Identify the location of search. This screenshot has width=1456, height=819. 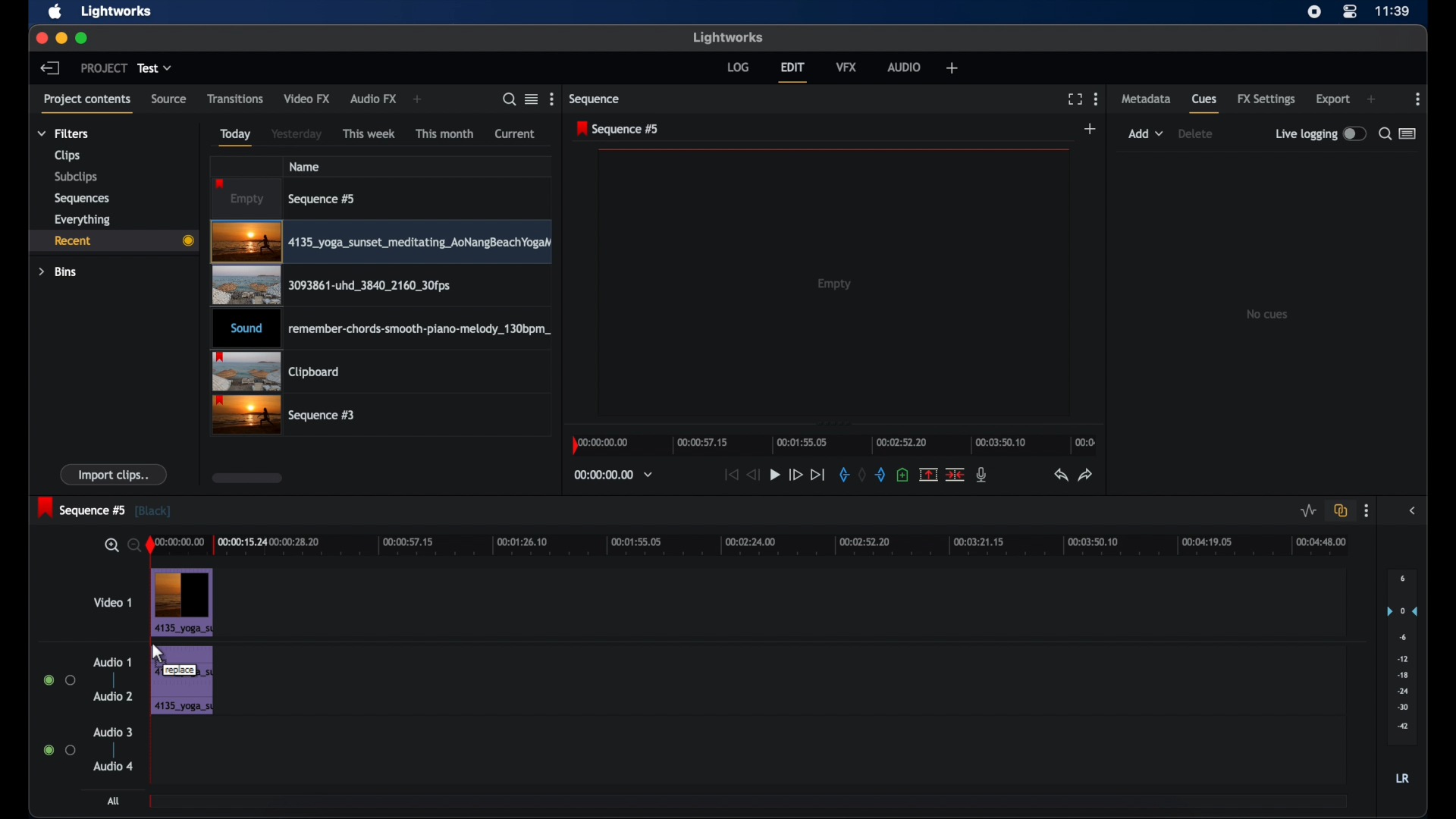
(510, 100).